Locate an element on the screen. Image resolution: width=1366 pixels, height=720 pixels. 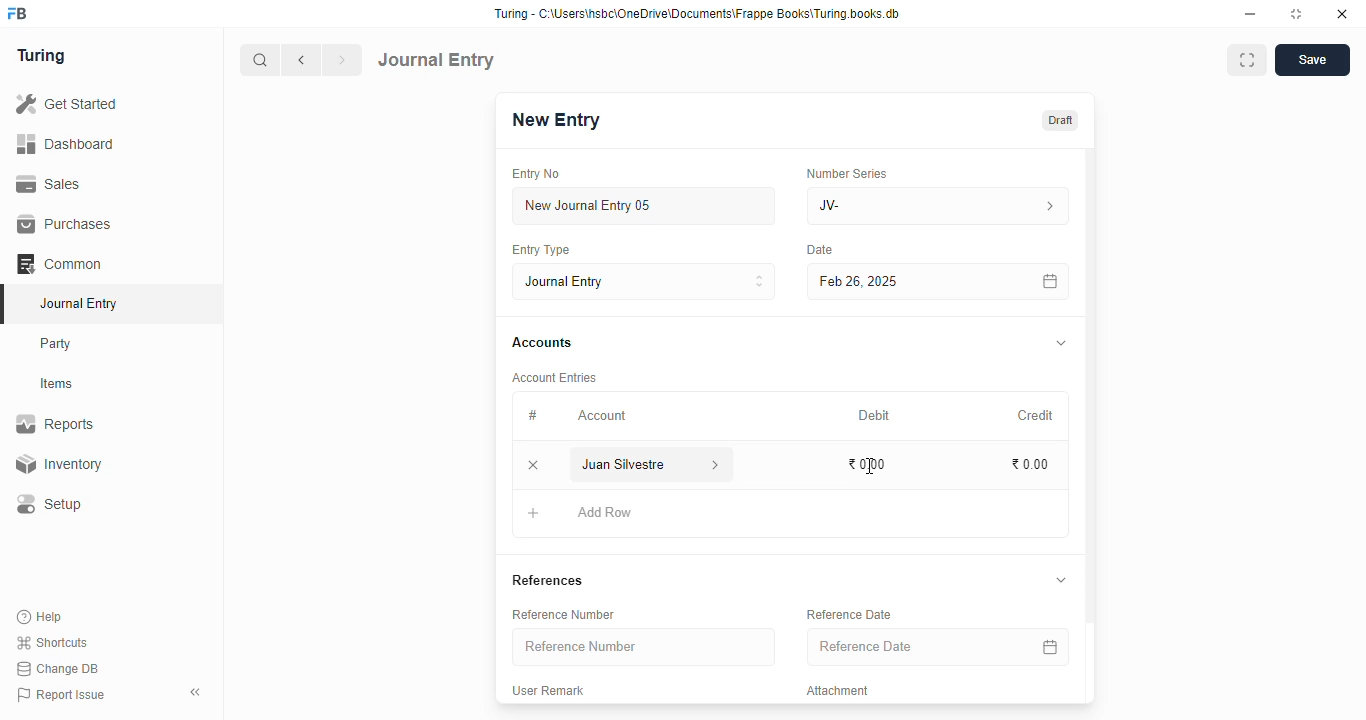
change DB is located at coordinates (58, 669).